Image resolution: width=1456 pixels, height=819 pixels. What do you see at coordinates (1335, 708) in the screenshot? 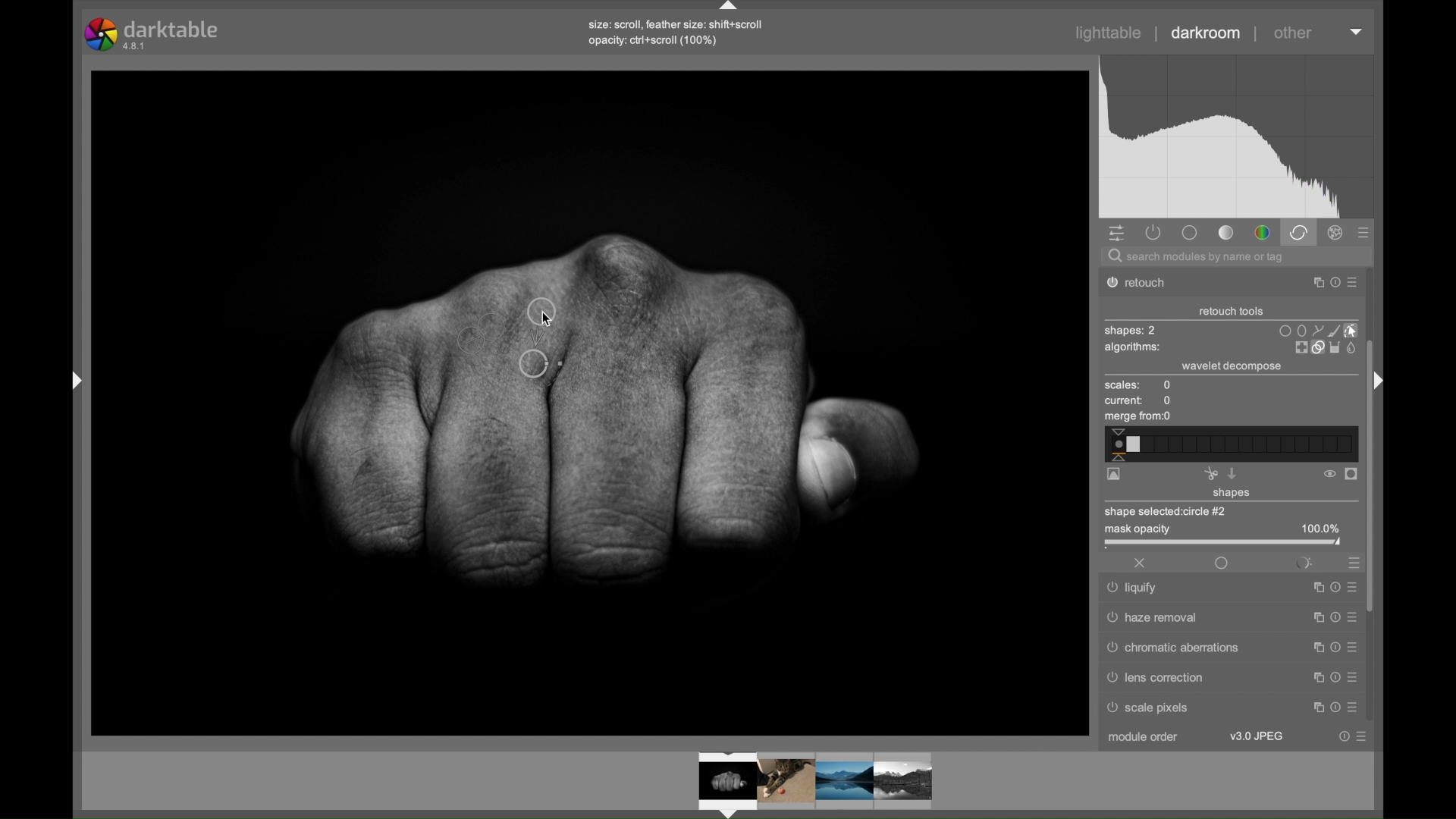
I see `help` at bounding box center [1335, 708].